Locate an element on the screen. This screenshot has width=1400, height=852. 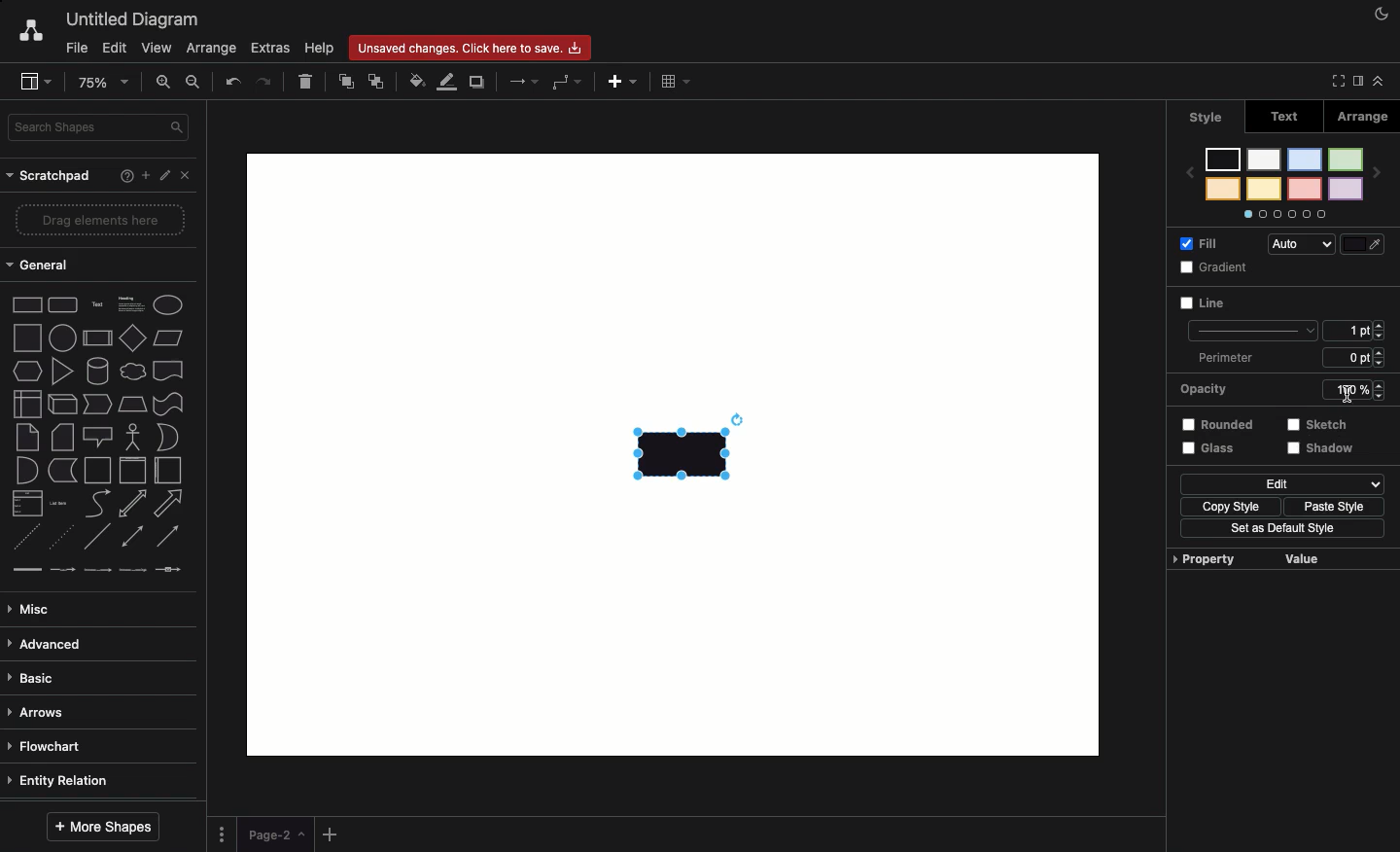
connector with label is located at coordinates (63, 569).